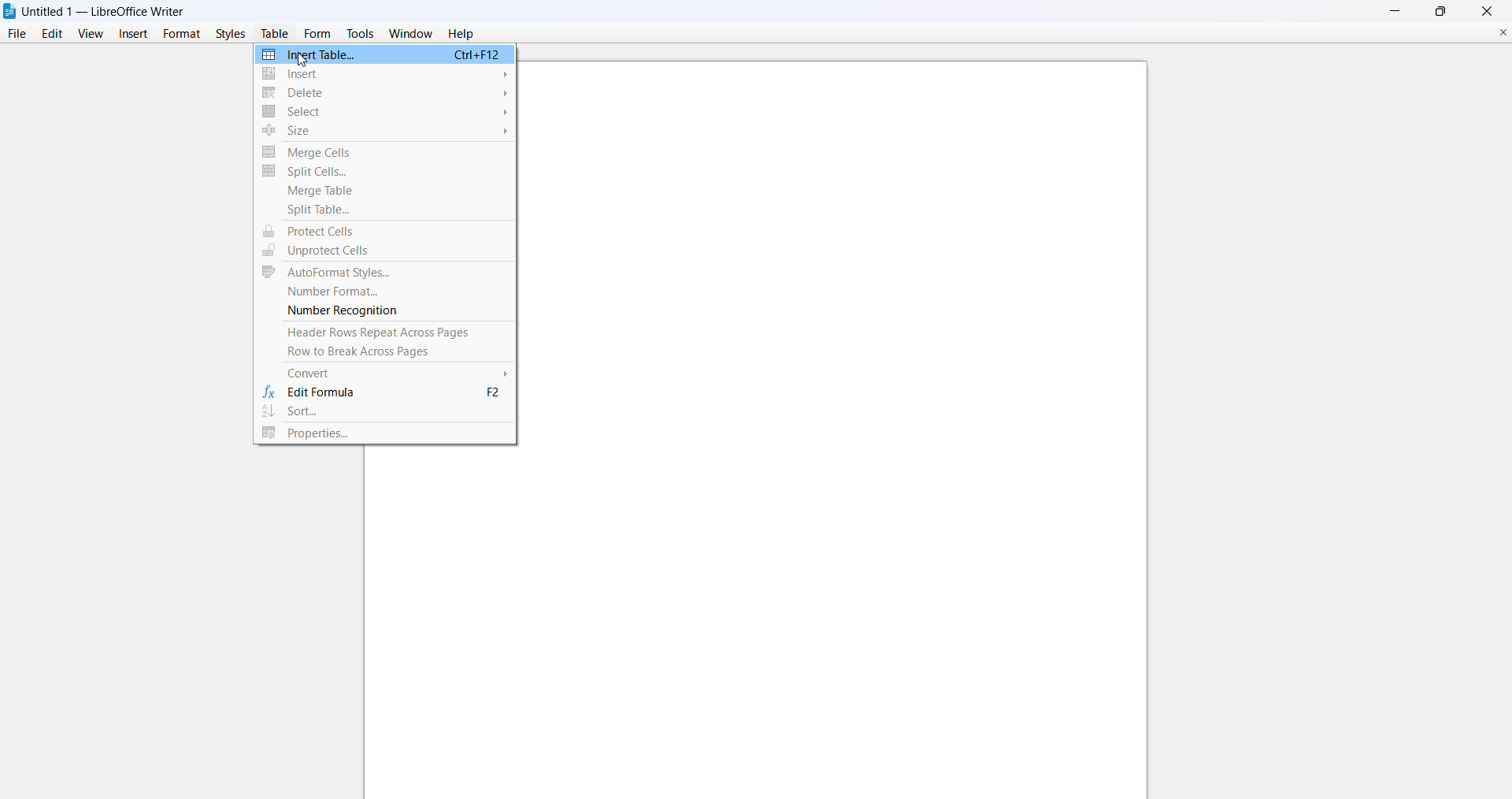 This screenshot has height=799, width=1512. What do you see at coordinates (408, 33) in the screenshot?
I see `window` at bounding box center [408, 33].